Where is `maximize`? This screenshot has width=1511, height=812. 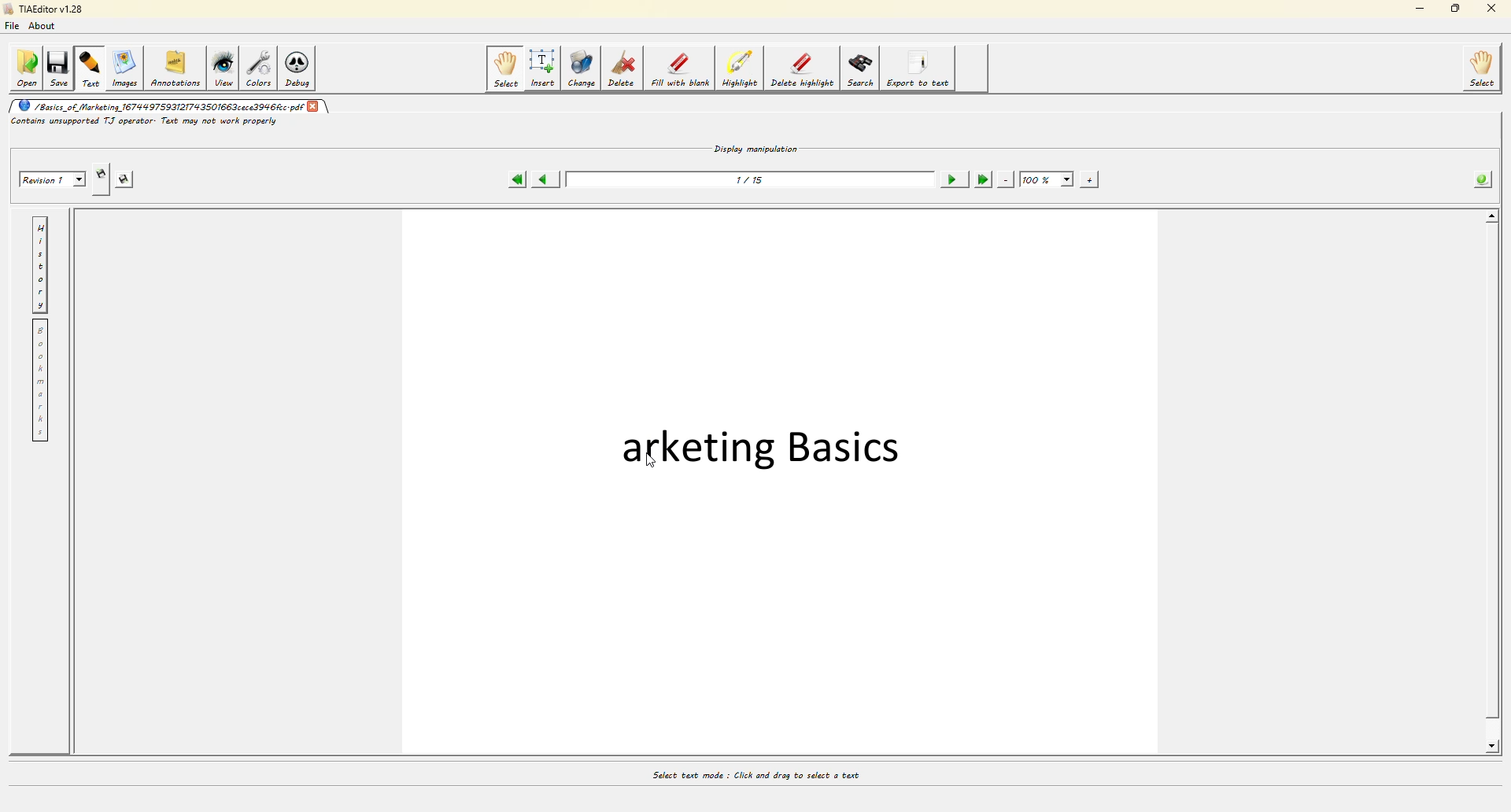
maximize is located at coordinates (1453, 10).